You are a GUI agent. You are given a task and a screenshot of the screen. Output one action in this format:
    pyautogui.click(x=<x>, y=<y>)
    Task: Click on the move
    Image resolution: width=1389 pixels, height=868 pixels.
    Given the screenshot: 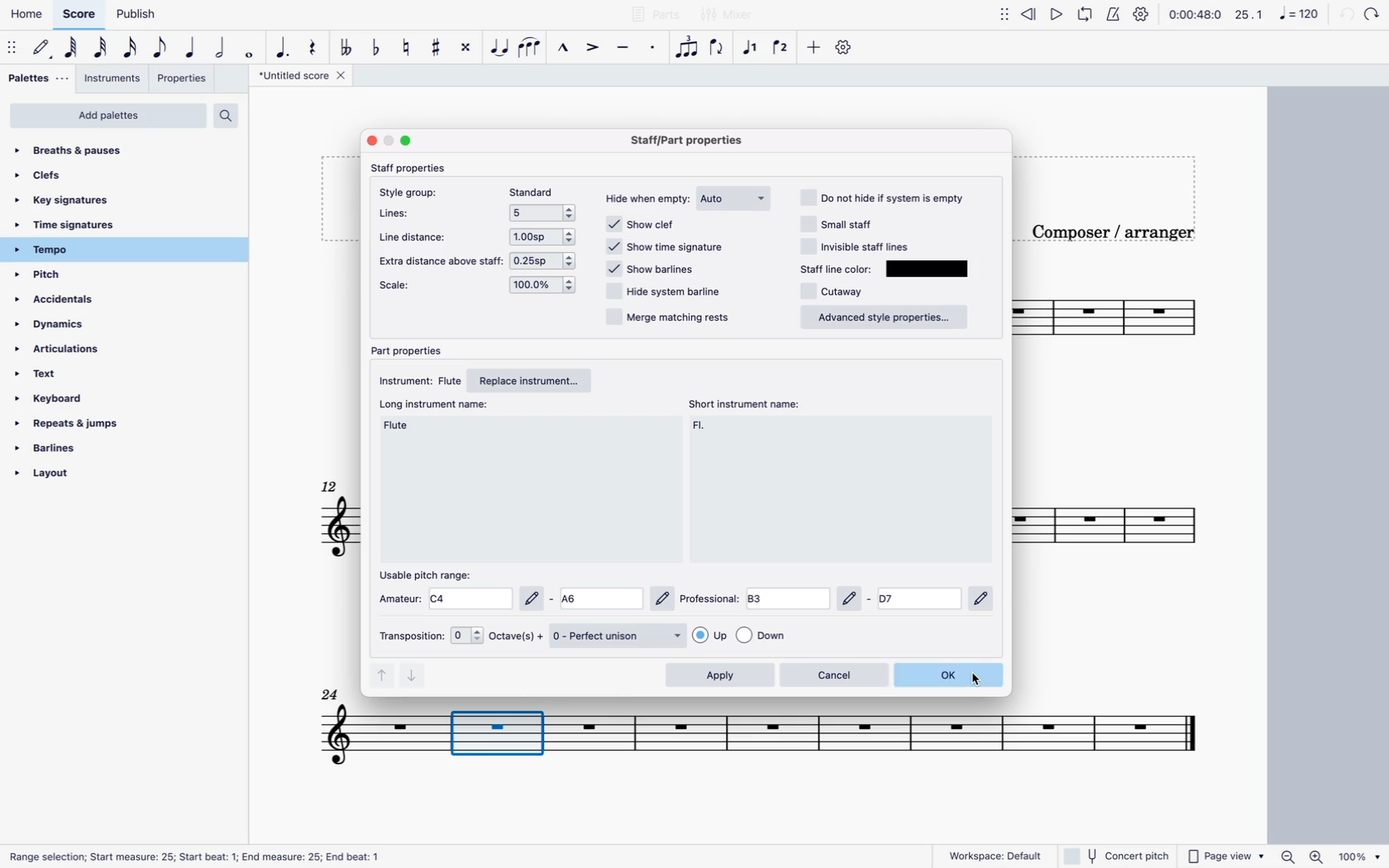 What is the action you would take?
    pyautogui.click(x=1000, y=14)
    